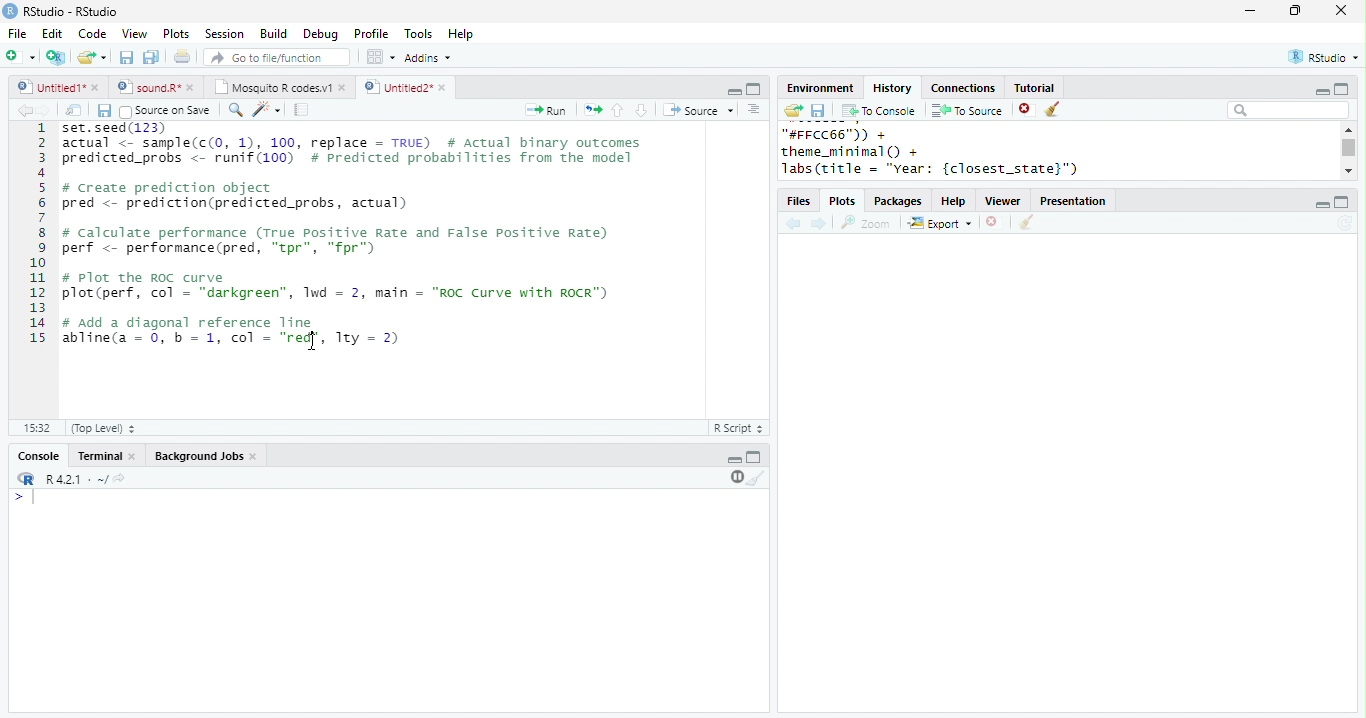 Image resolution: width=1366 pixels, height=718 pixels. Describe the element at coordinates (593, 110) in the screenshot. I see `rerun` at that location.